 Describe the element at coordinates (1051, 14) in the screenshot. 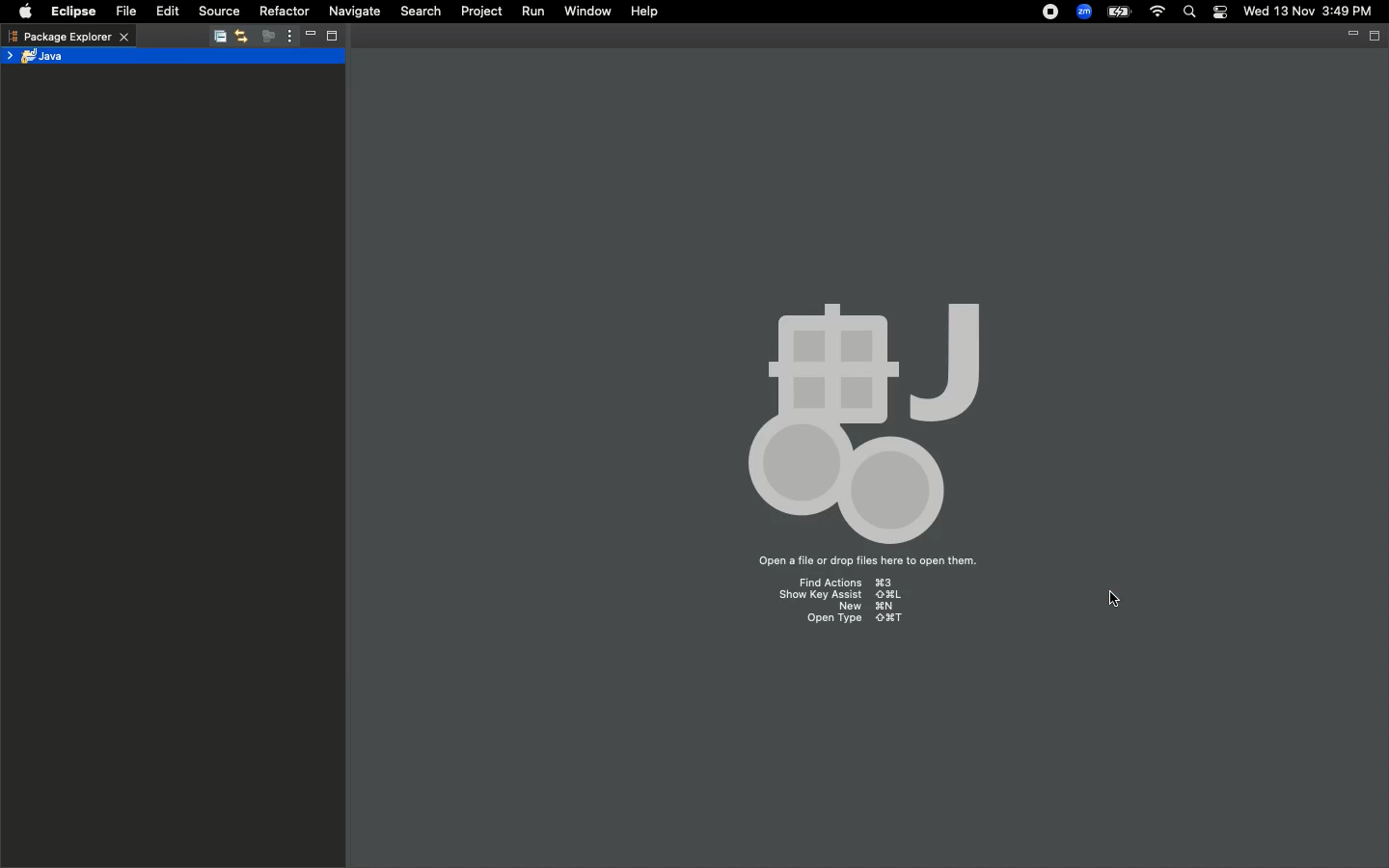

I see `Recording` at that location.